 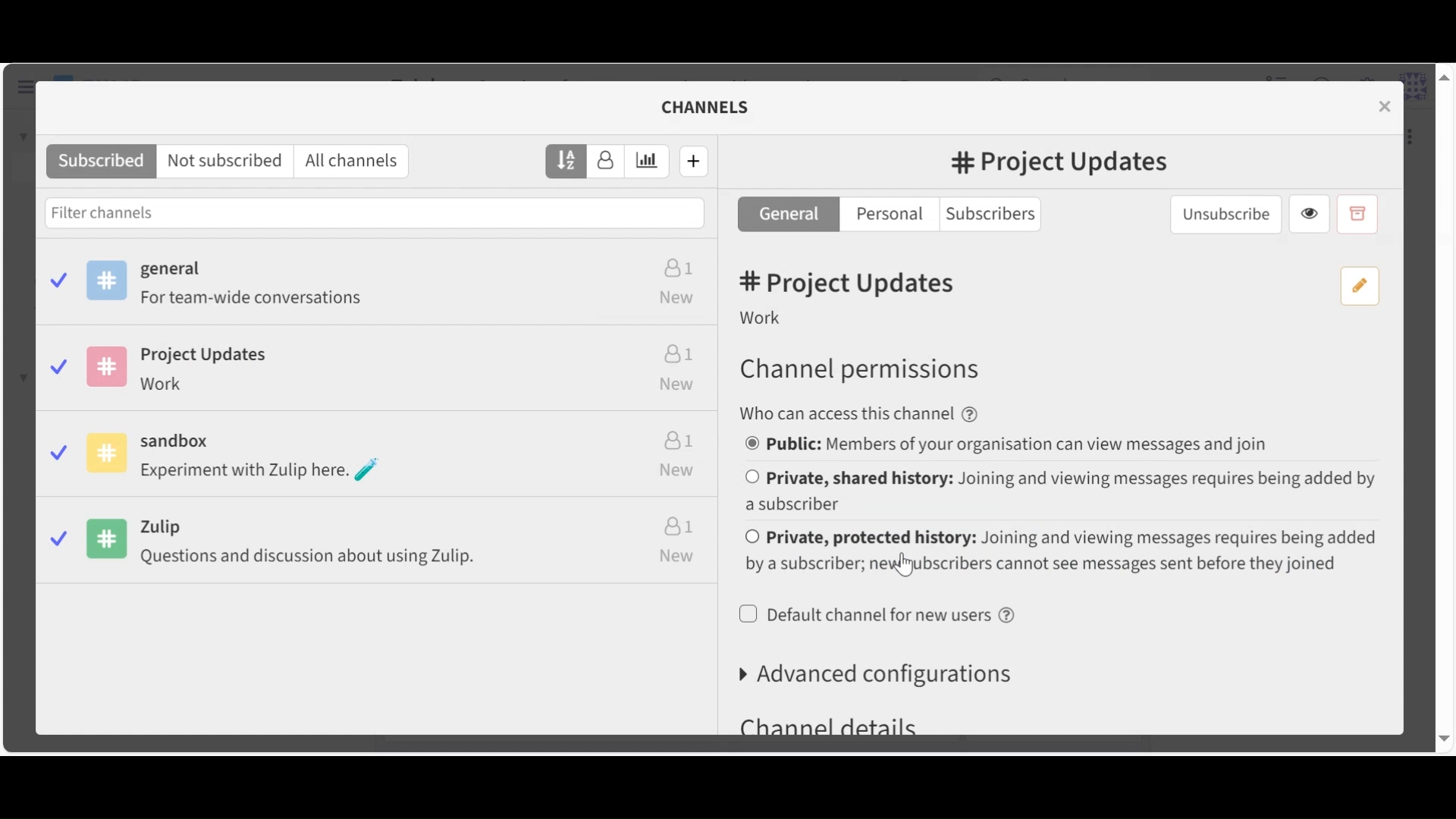 I want to click on (un)select Private, protected history, so click(x=1072, y=552).